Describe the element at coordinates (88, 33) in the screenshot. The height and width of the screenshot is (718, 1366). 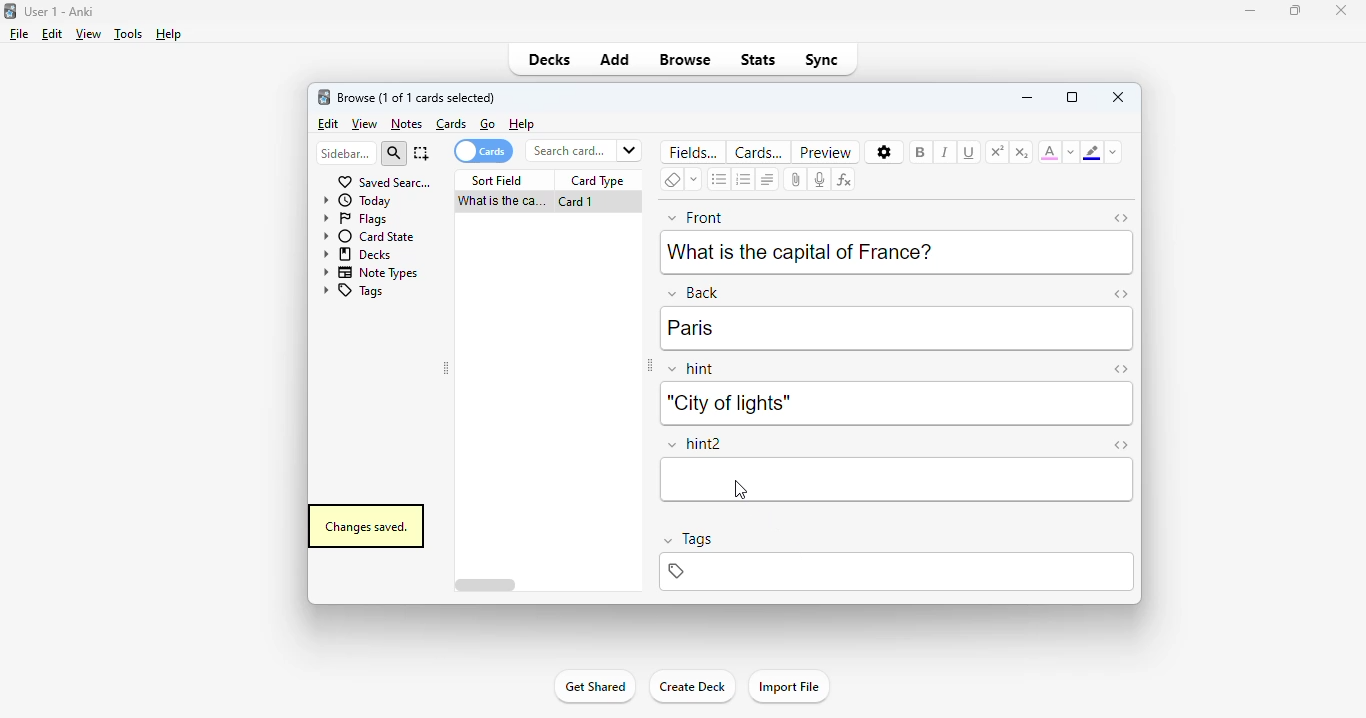
I see `view` at that location.